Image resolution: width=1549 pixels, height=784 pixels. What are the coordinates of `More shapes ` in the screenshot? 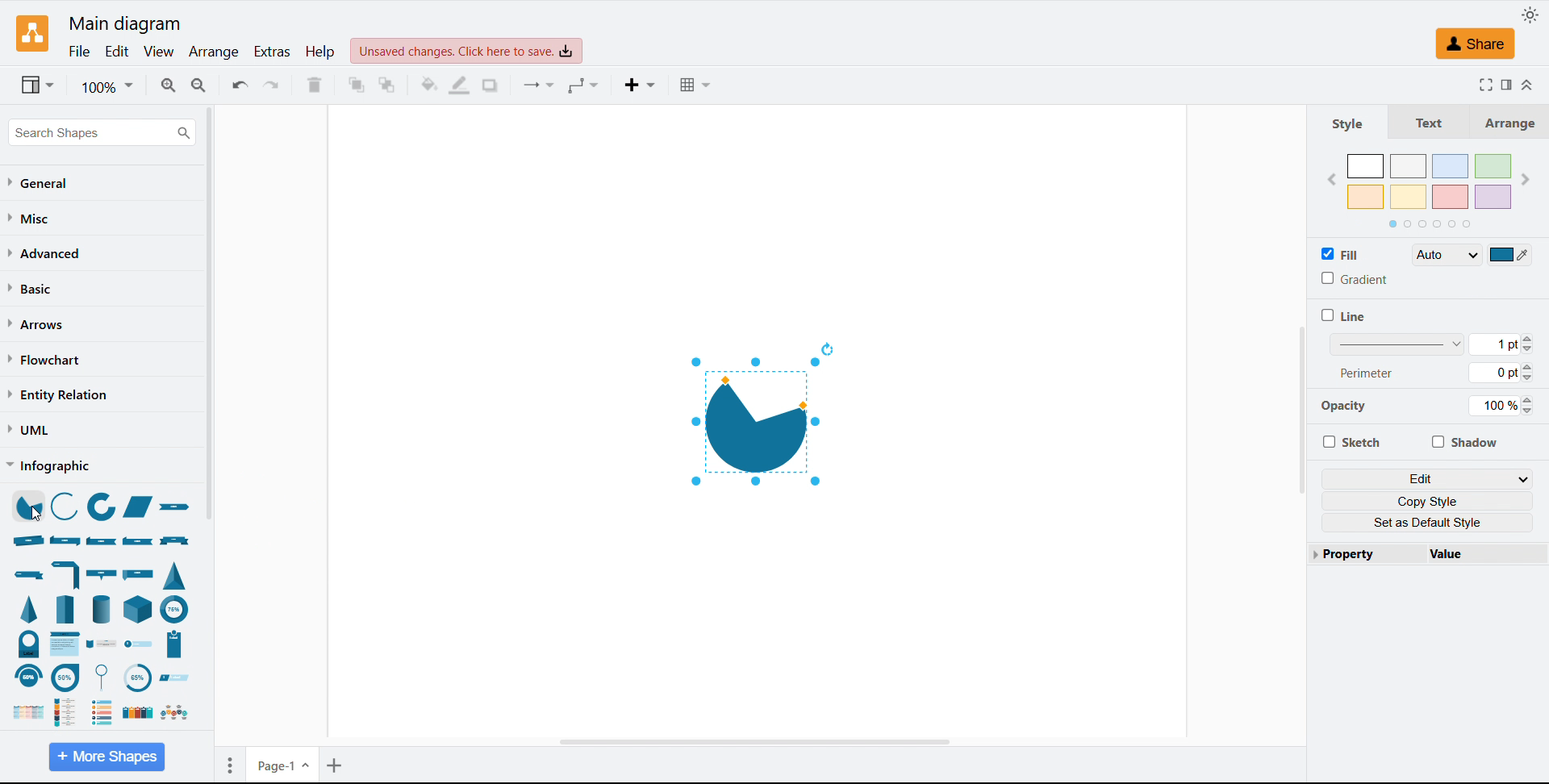 It's located at (110, 755).